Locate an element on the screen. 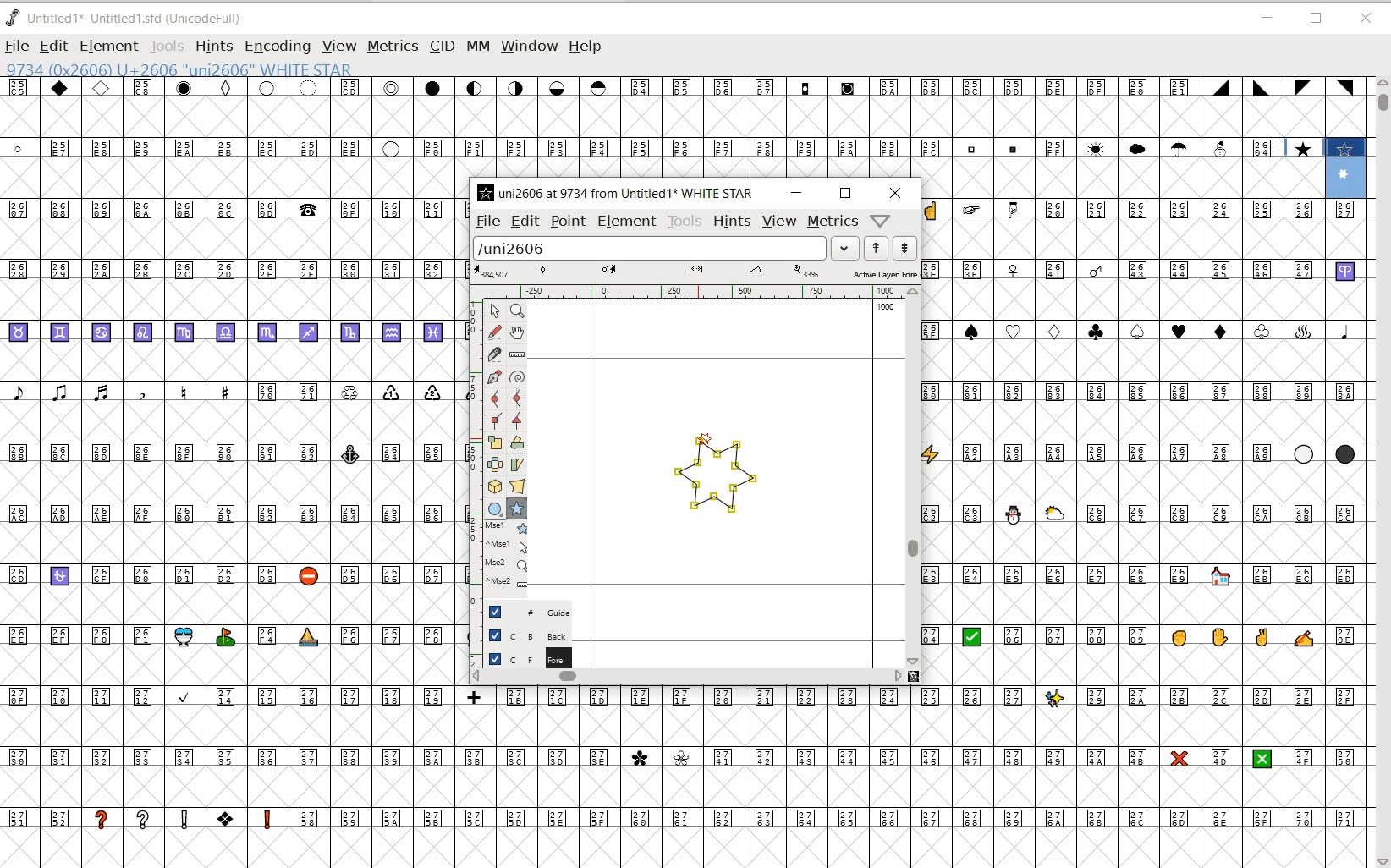 The width and height of the screenshot is (1391, 868). GLYPHY CHARACTERS & NUMBERS is located at coordinates (1144, 350).